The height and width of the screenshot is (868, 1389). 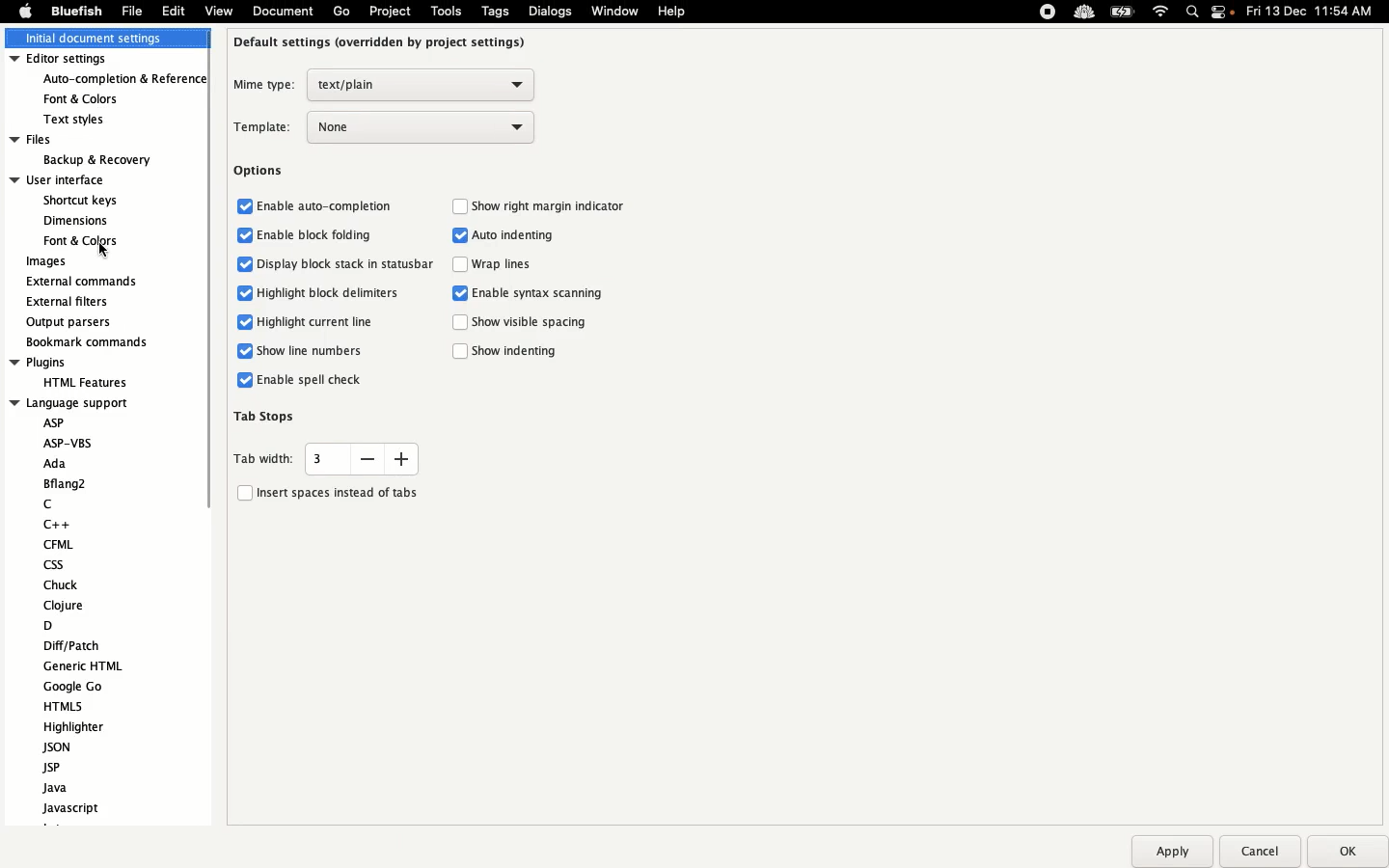 What do you see at coordinates (73, 322) in the screenshot?
I see `Output parsers` at bounding box center [73, 322].